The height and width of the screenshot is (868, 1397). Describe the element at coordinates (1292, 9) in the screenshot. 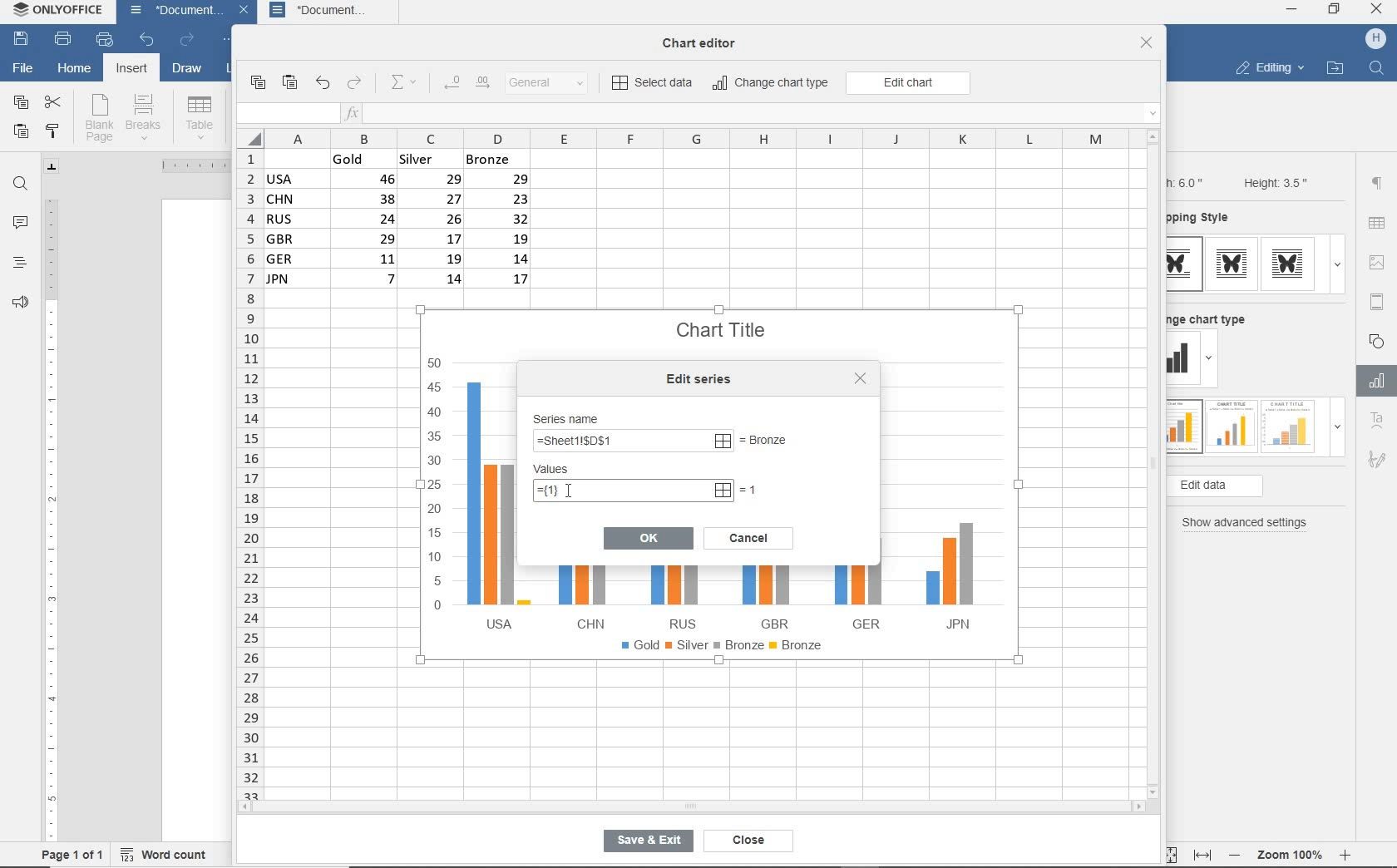

I see `minimize` at that location.